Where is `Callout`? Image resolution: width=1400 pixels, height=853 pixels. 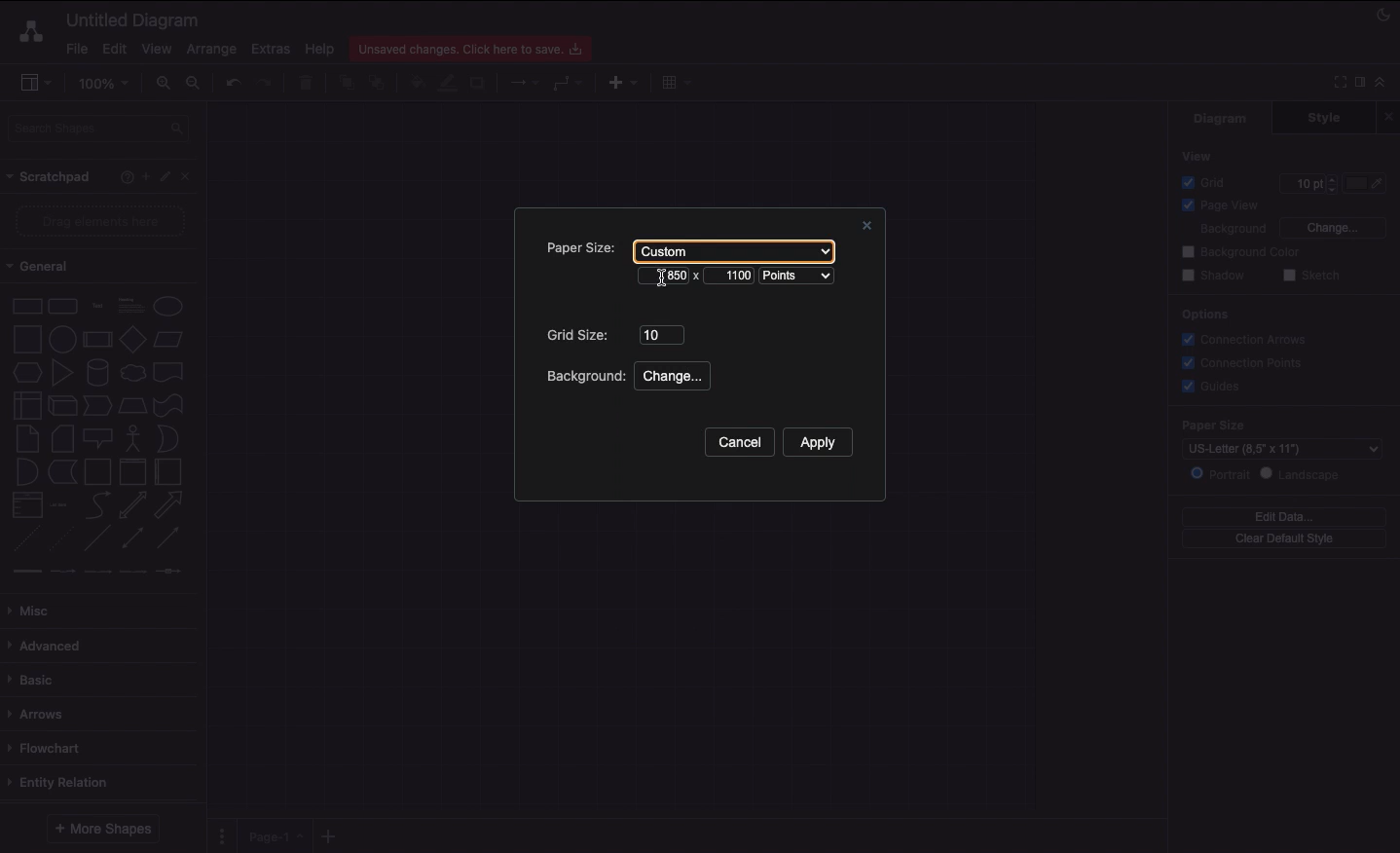 Callout is located at coordinates (99, 438).